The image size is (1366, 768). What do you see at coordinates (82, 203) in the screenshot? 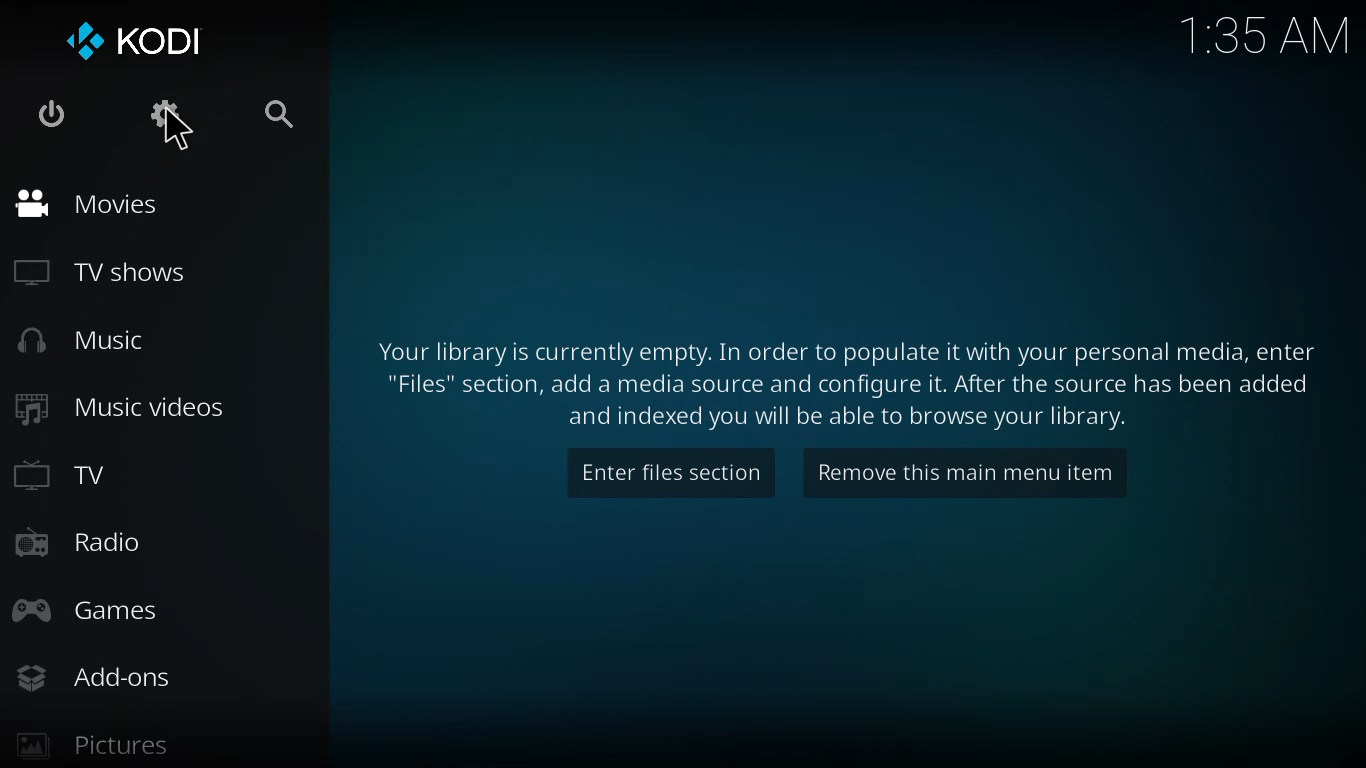
I see `movies` at bounding box center [82, 203].